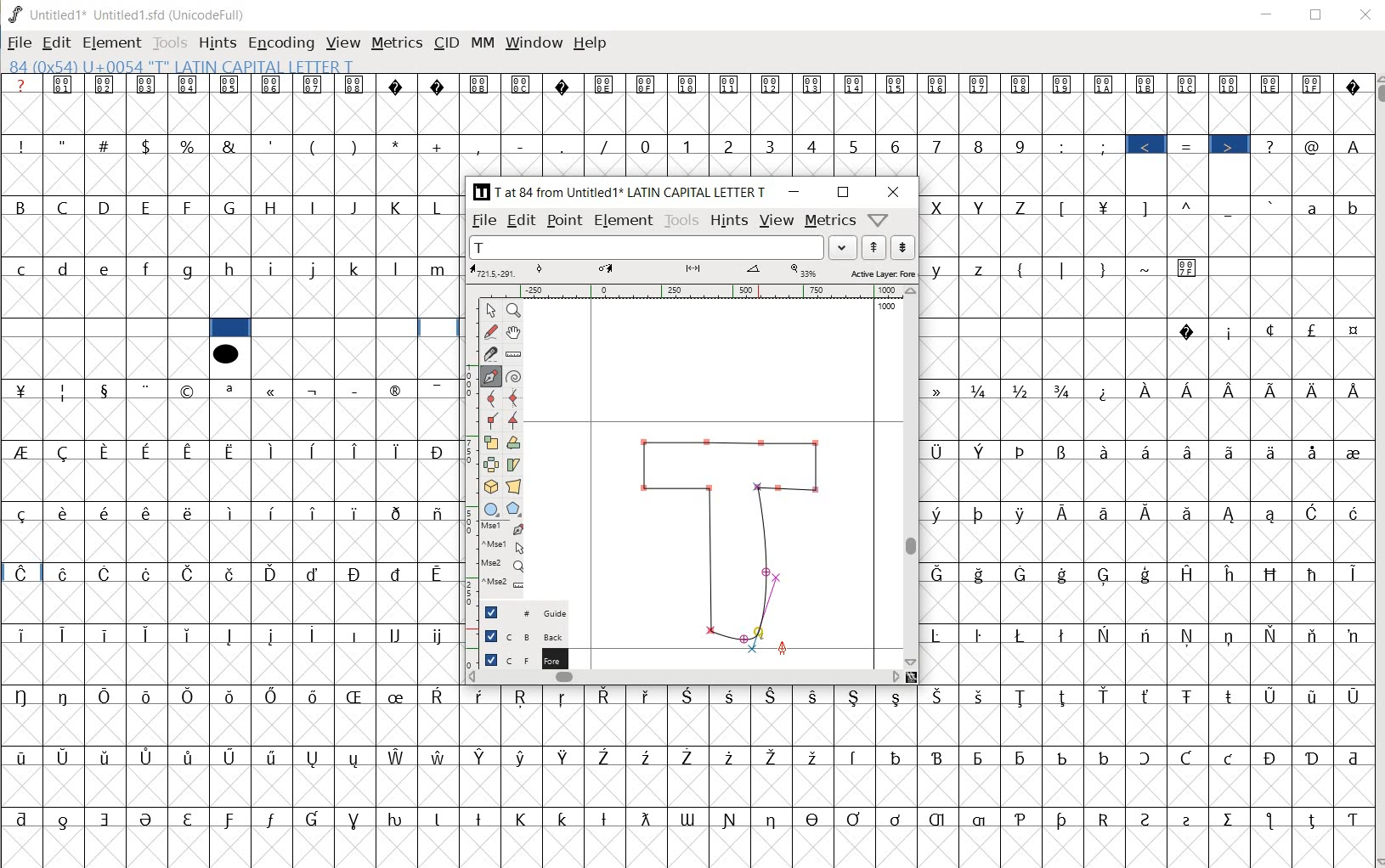 The height and width of the screenshot is (868, 1385). What do you see at coordinates (1350, 696) in the screenshot?
I see `Symbol` at bounding box center [1350, 696].